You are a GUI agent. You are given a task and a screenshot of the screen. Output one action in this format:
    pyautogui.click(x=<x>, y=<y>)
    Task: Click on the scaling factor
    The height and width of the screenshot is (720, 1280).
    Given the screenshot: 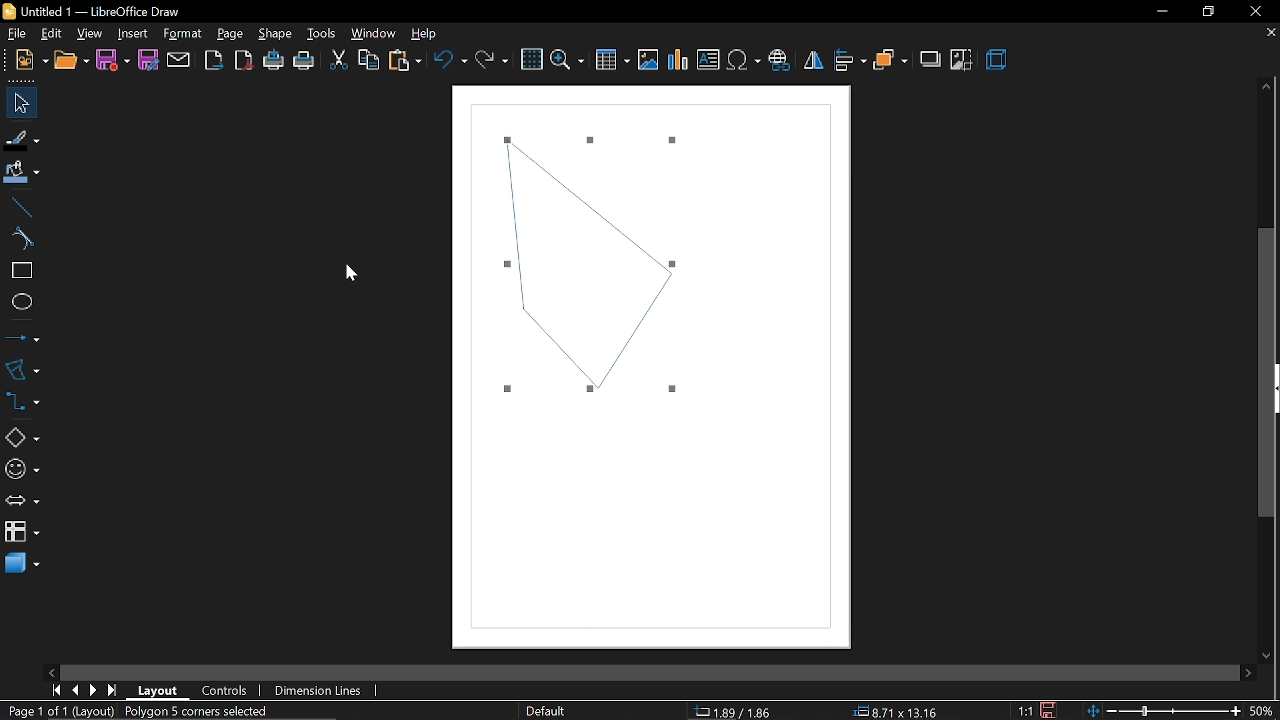 What is the action you would take?
    pyautogui.click(x=1030, y=710)
    